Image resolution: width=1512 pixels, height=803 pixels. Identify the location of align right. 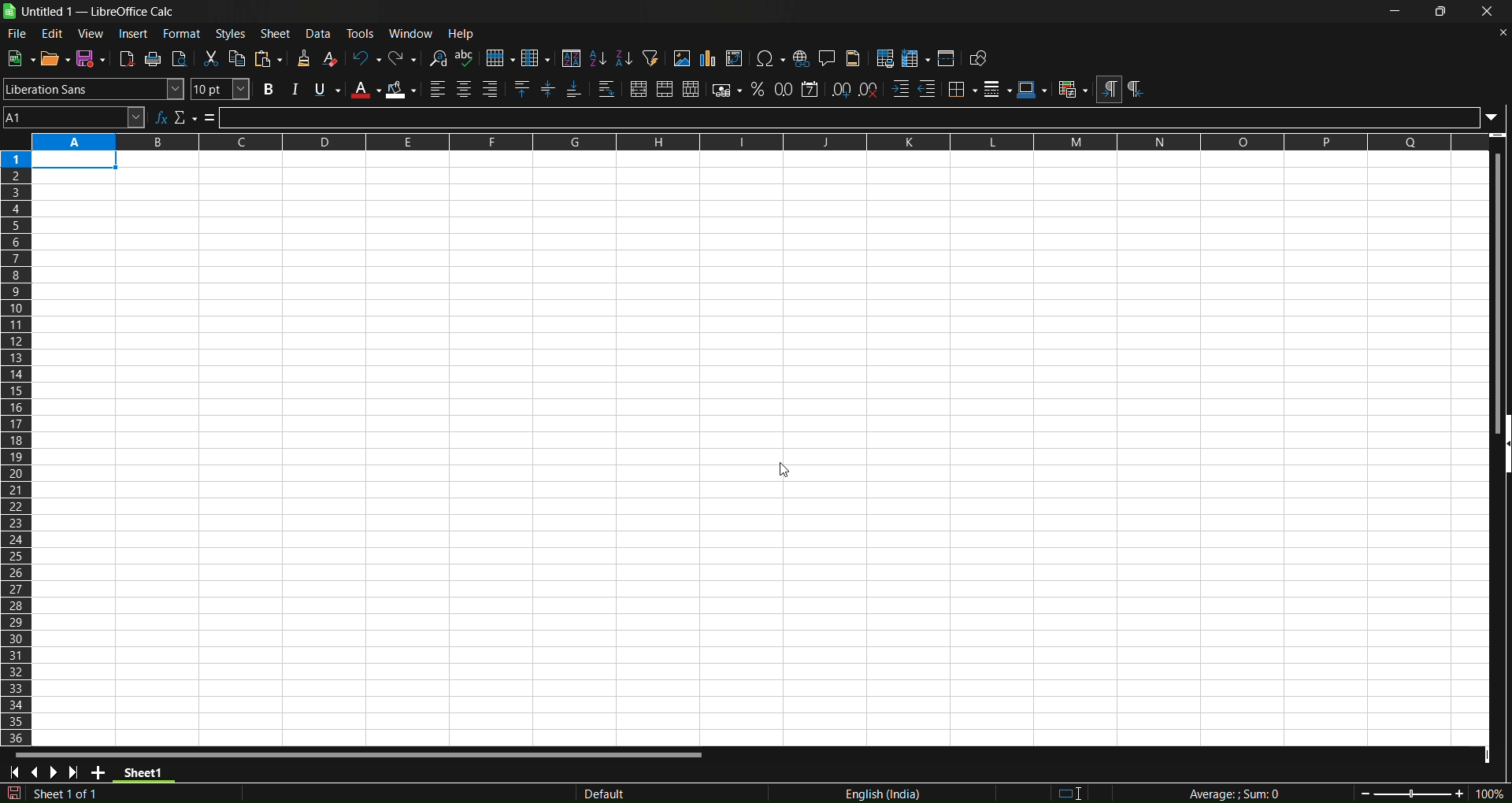
(493, 90).